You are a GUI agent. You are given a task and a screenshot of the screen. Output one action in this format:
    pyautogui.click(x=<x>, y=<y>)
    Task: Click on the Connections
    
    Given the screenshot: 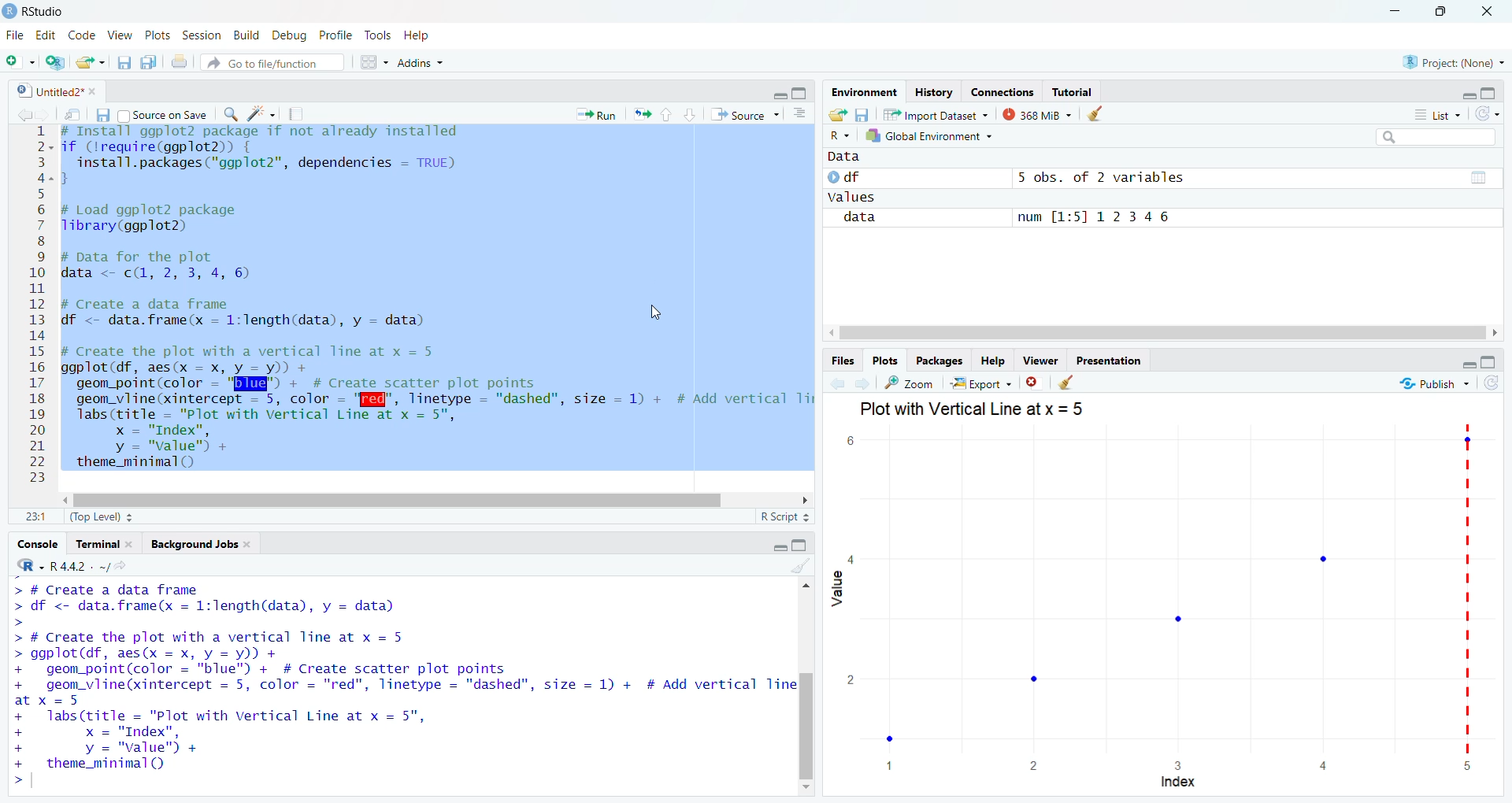 What is the action you would take?
    pyautogui.click(x=1006, y=91)
    